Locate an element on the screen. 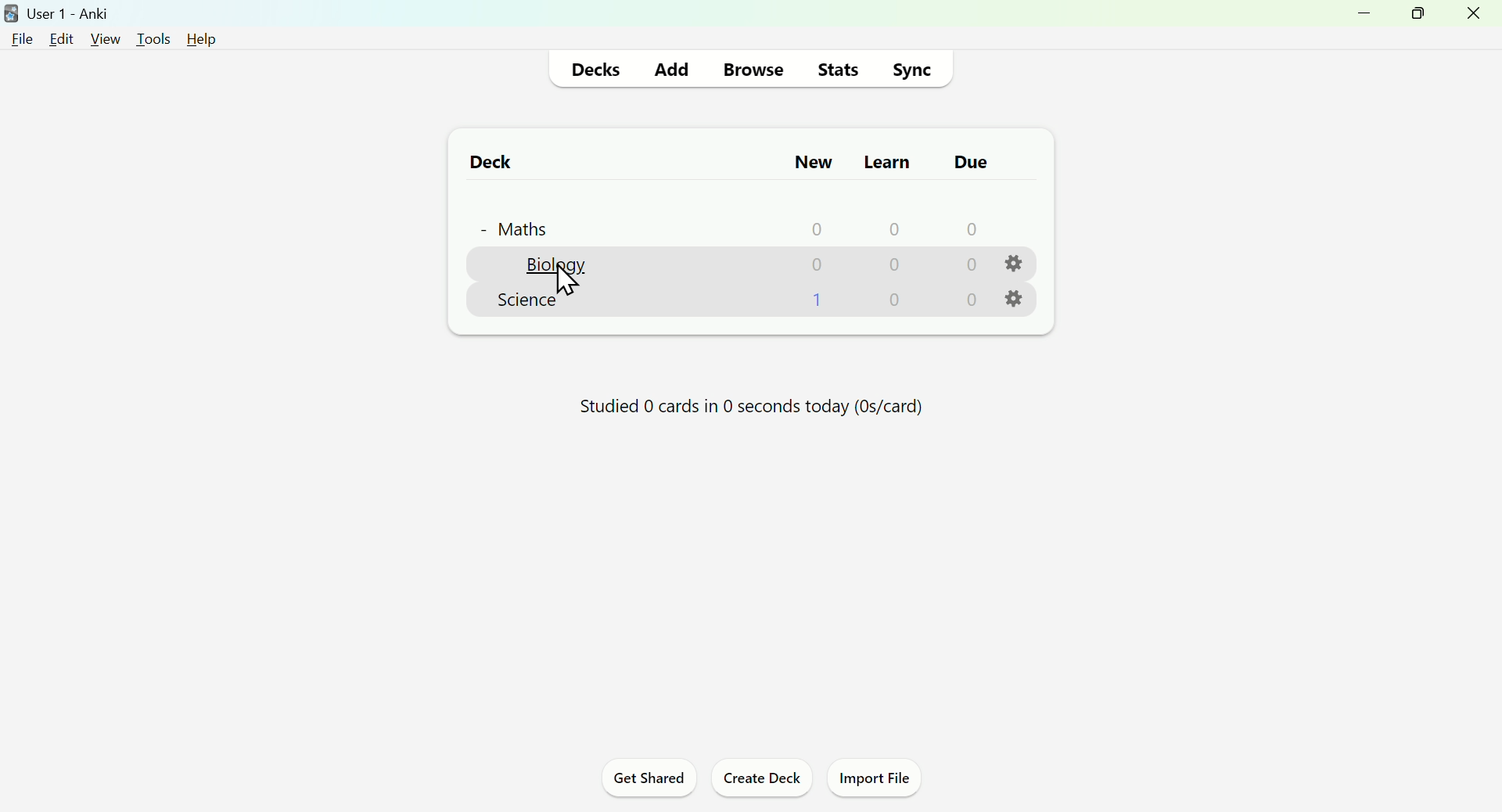 This screenshot has height=812, width=1502. Progress is located at coordinates (742, 411).